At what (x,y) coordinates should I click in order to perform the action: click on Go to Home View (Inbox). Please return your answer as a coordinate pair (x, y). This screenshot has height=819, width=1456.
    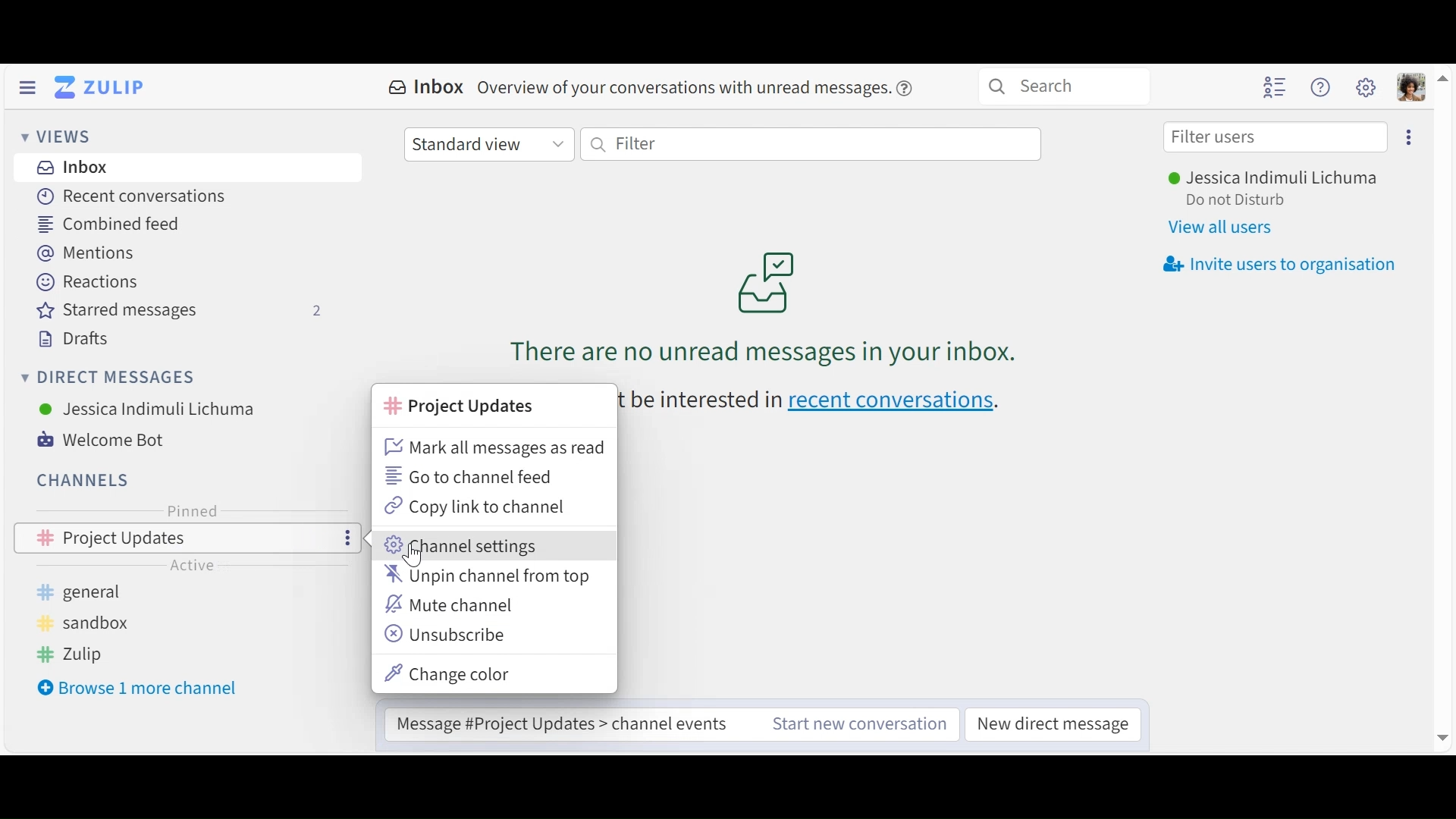
    Looking at the image, I should click on (103, 86).